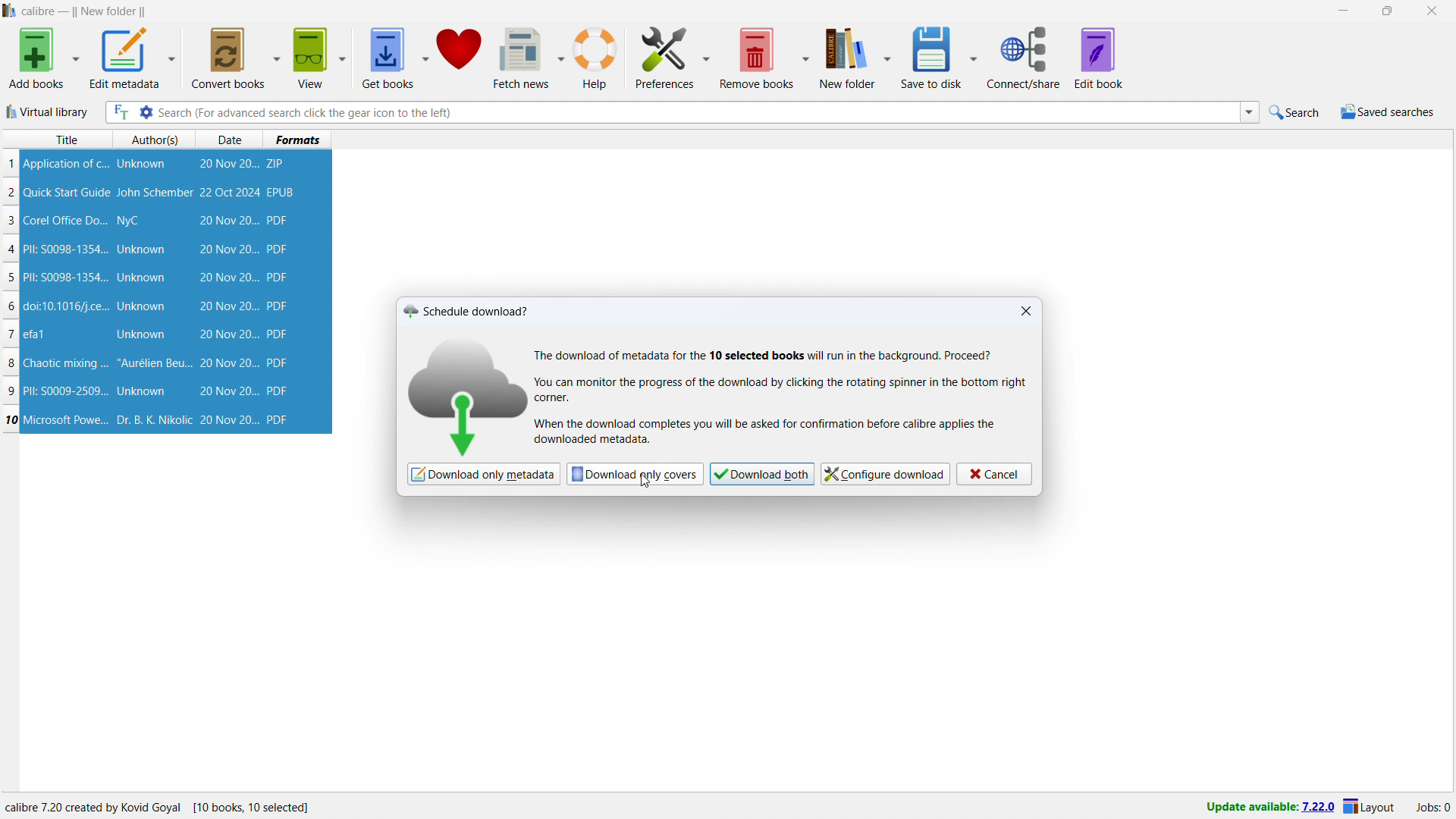 This screenshot has height=819, width=1456. What do you see at coordinates (142, 335) in the screenshot?
I see `Unknown` at bounding box center [142, 335].